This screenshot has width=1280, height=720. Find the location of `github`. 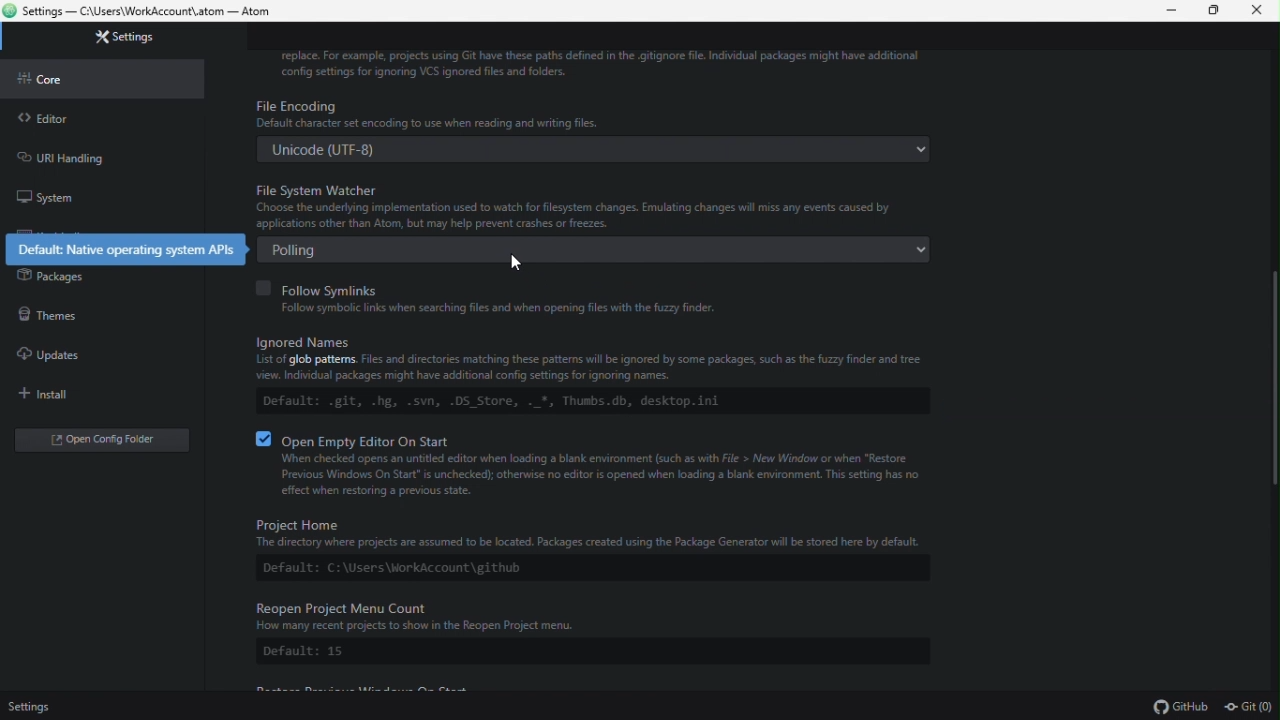

github is located at coordinates (1183, 708).